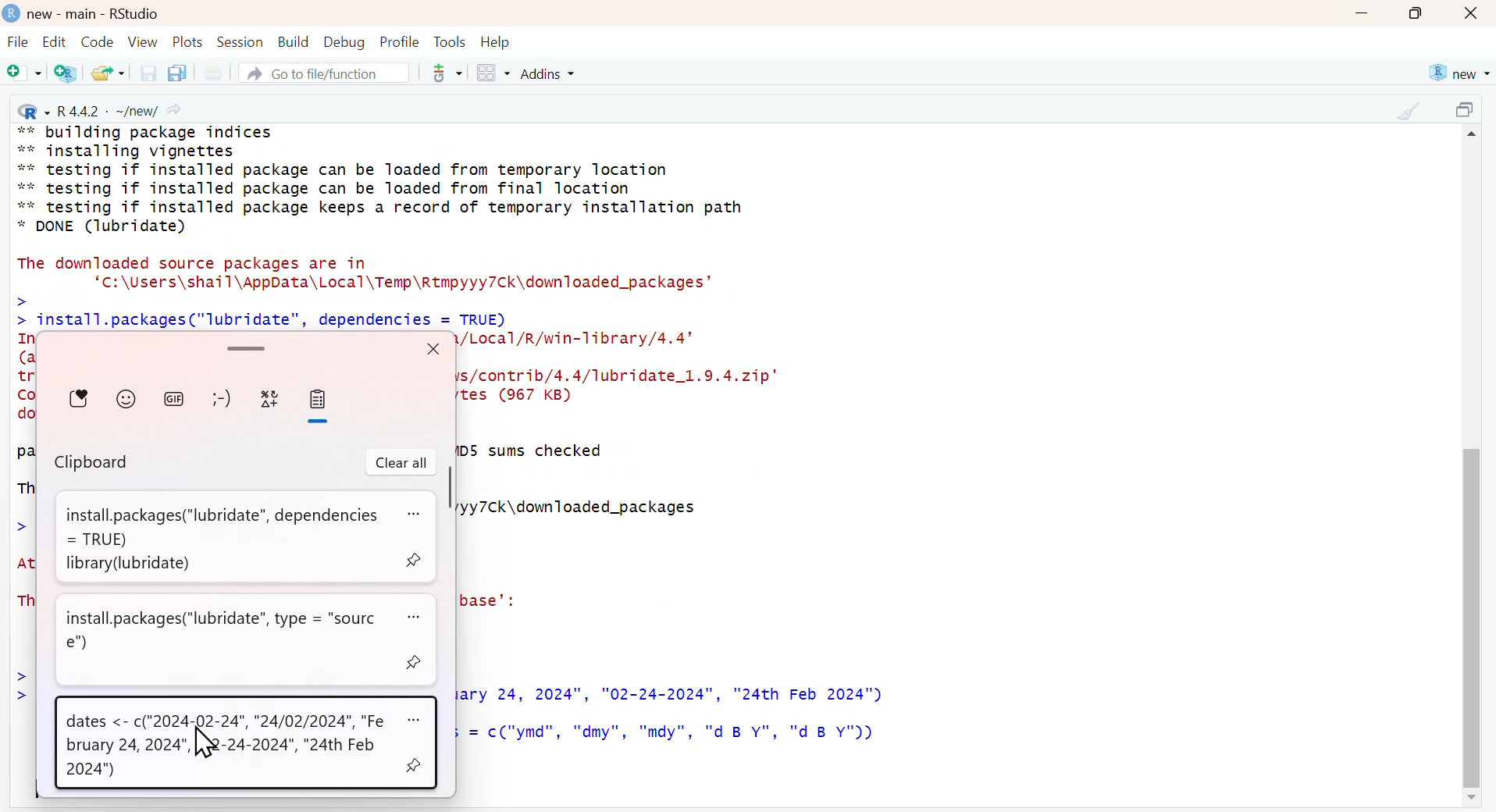 The width and height of the screenshot is (1496, 812). I want to click on save the current document, so click(146, 73).